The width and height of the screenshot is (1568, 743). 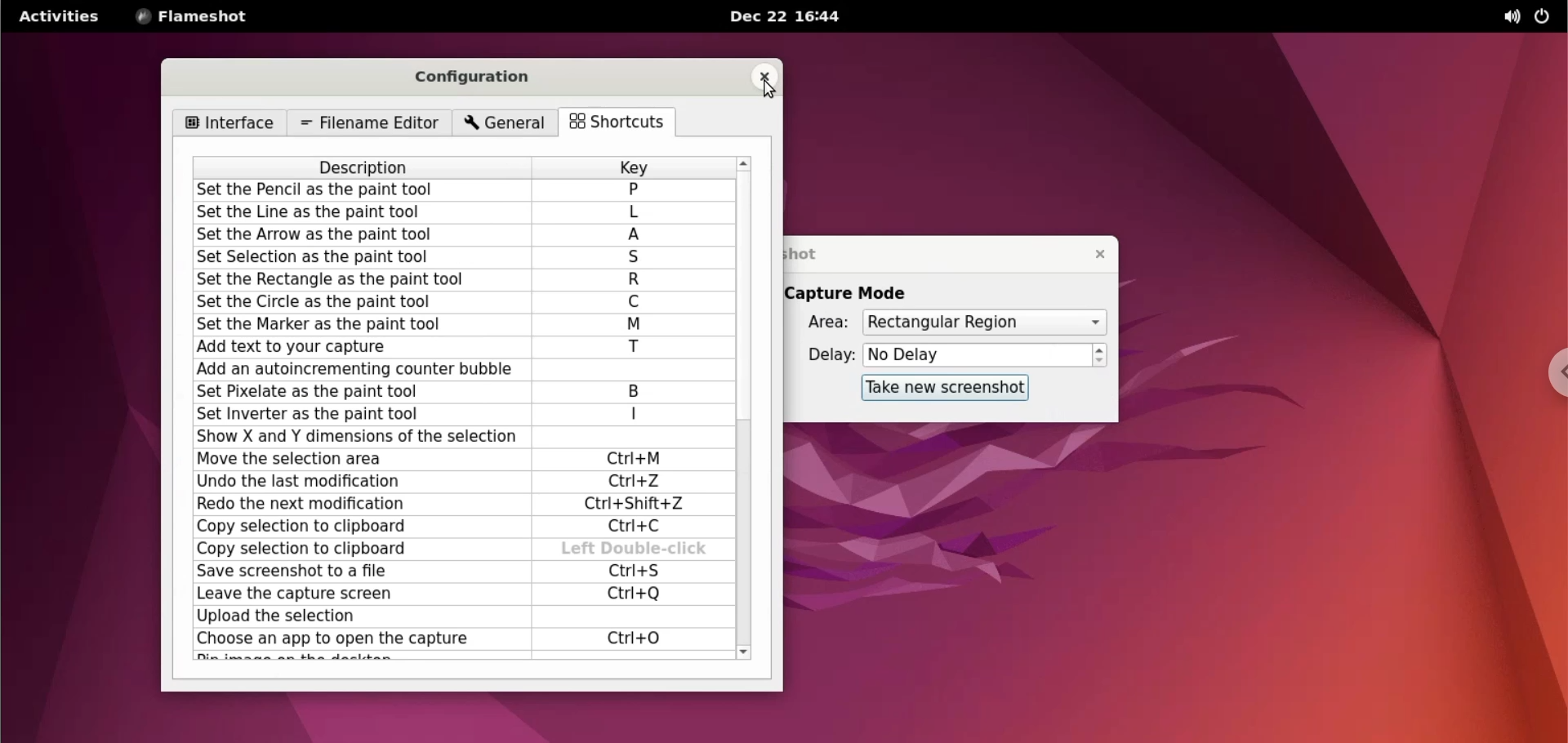 I want to click on Dec 22 16:44, so click(x=791, y=16).